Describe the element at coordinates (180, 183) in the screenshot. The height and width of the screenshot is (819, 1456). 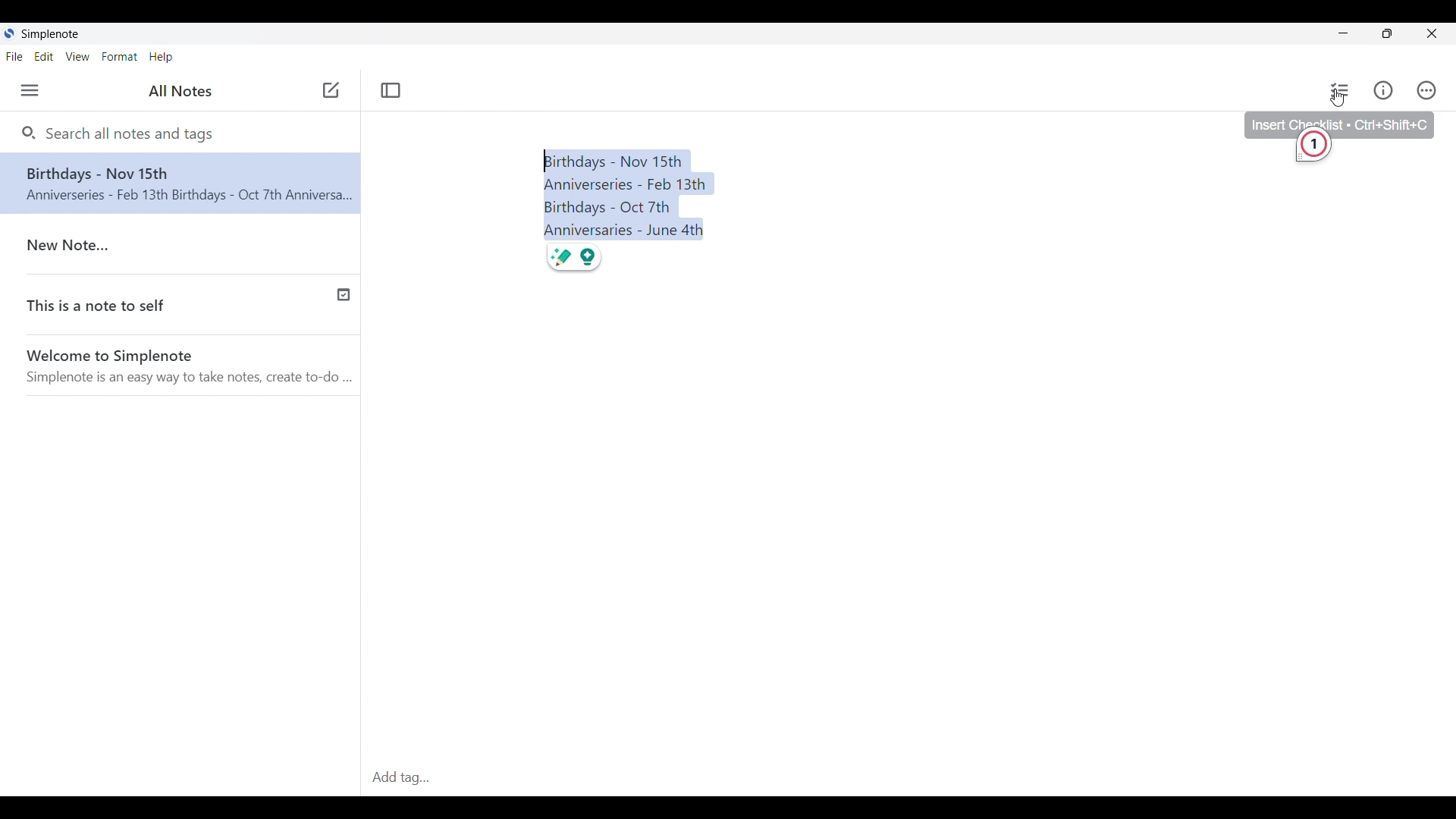
I see `Note text changed` at that location.